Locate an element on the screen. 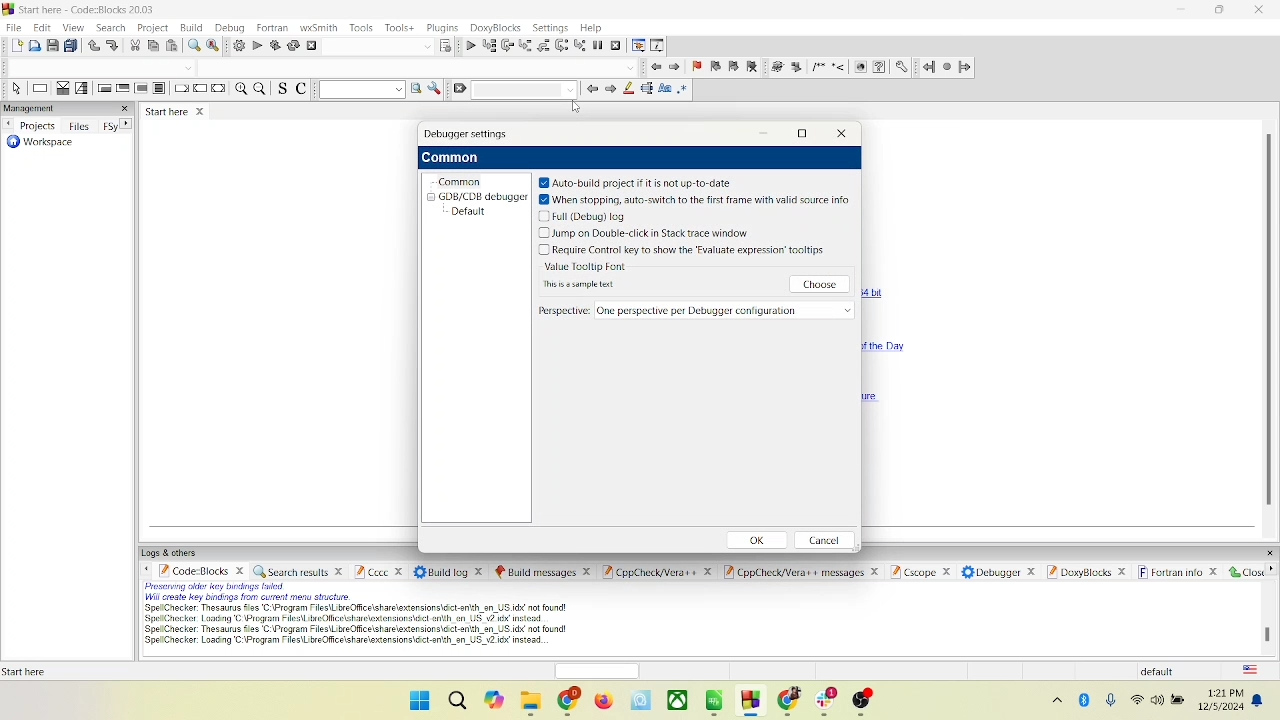 The height and width of the screenshot is (720, 1280). date and time is located at coordinates (1221, 699).